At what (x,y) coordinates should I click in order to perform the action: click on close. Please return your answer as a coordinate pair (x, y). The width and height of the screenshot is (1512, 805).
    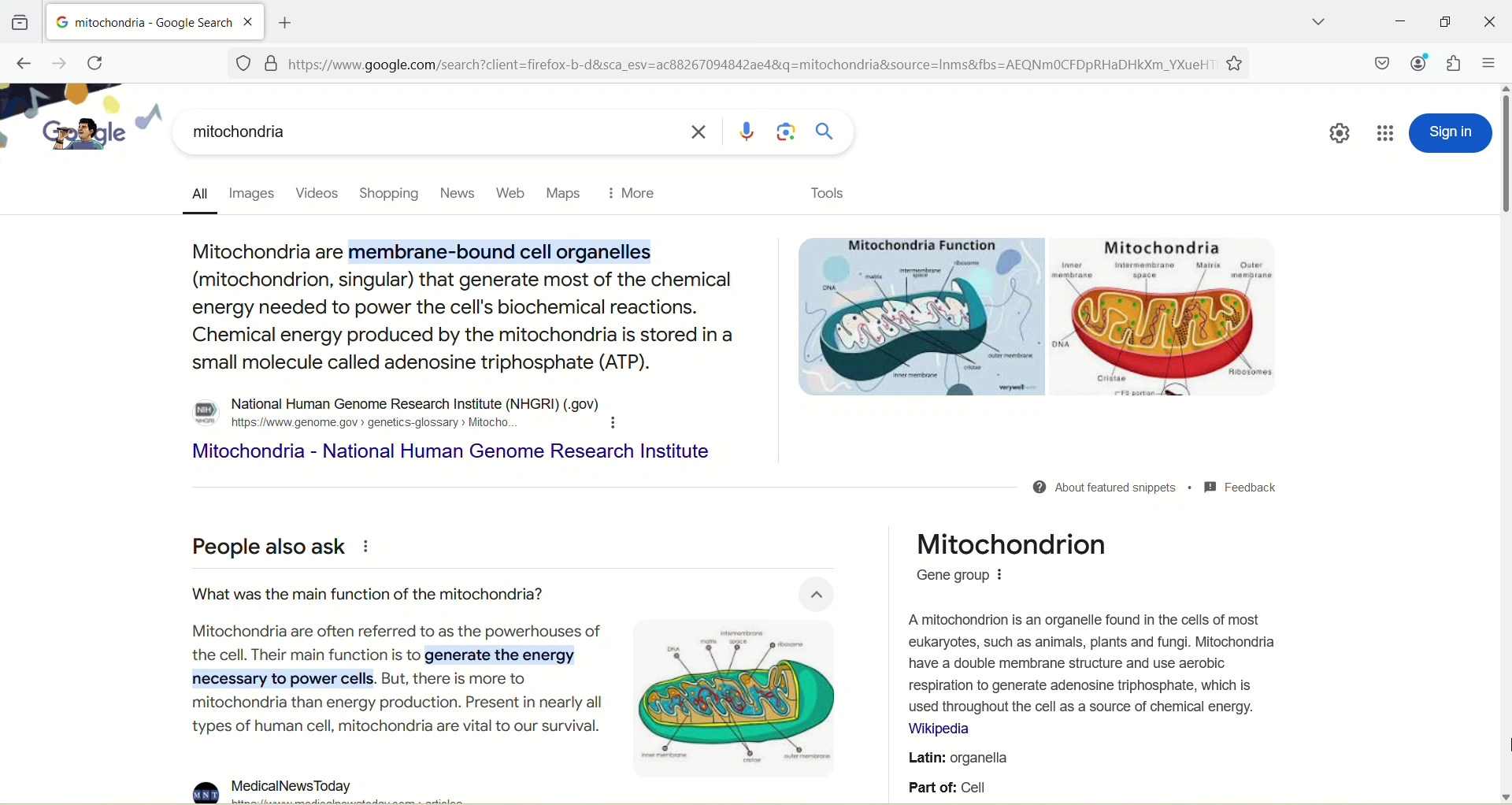
    Looking at the image, I should click on (1487, 21).